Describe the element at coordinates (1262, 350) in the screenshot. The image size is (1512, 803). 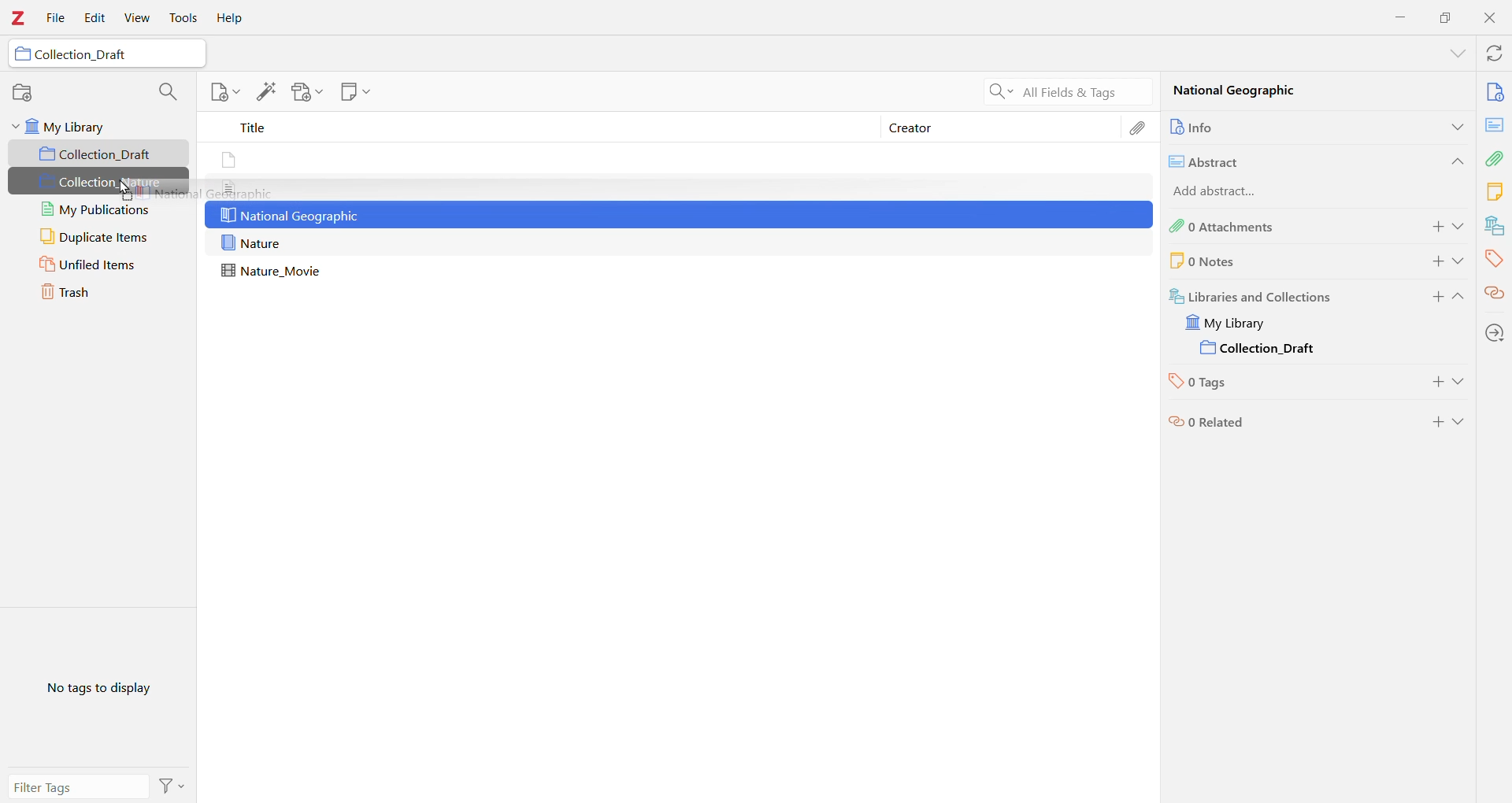
I see `Current Collection` at that location.